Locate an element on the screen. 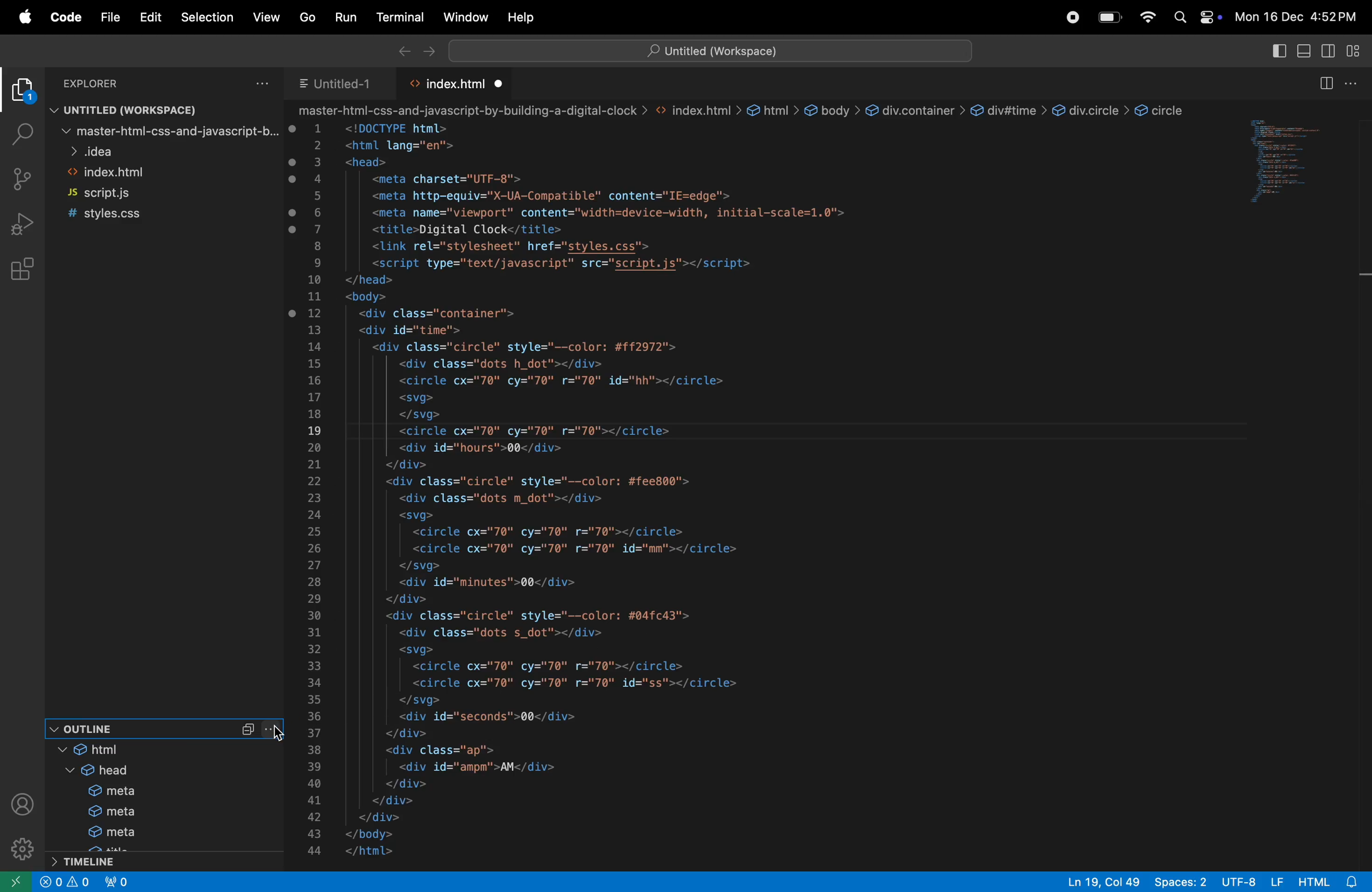  explorer is located at coordinates (19, 91).